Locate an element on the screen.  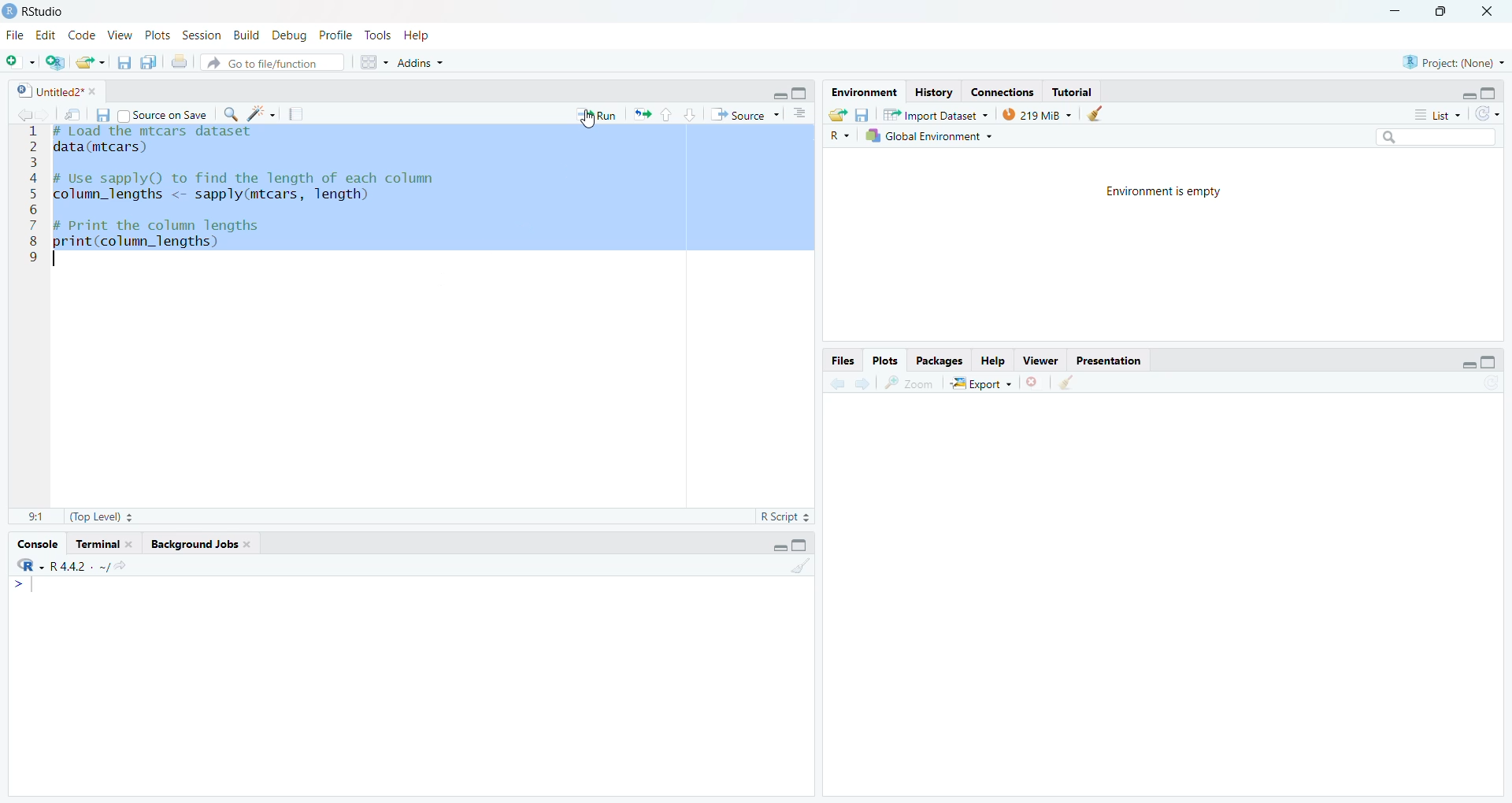
Minimize is located at coordinates (1396, 13).